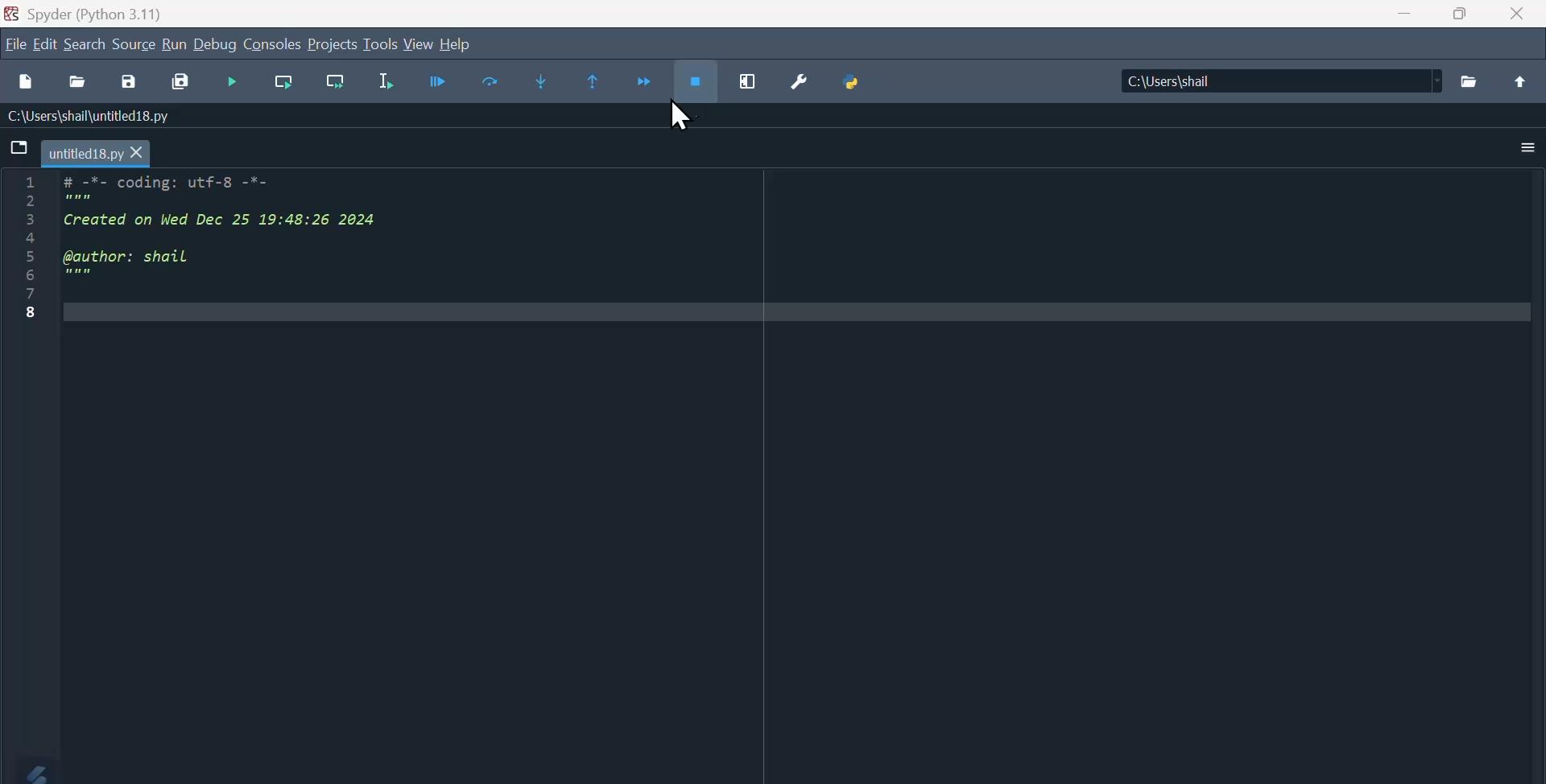 The width and height of the screenshot is (1546, 784). I want to click on Run until current function returns, so click(592, 80).